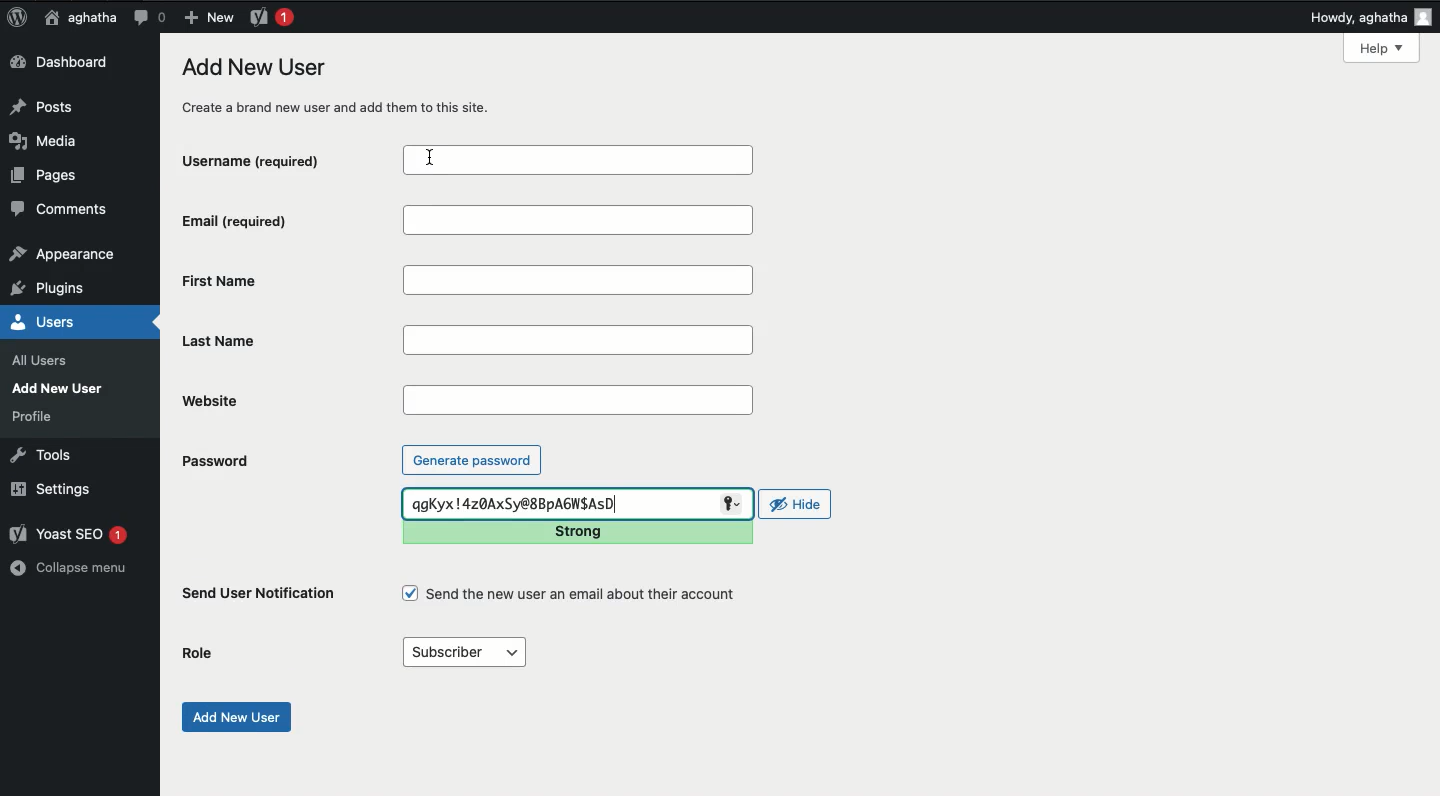 Image resolution: width=1440 pixels, height=796 pixels. I want to click on First name, so click(583, 281).